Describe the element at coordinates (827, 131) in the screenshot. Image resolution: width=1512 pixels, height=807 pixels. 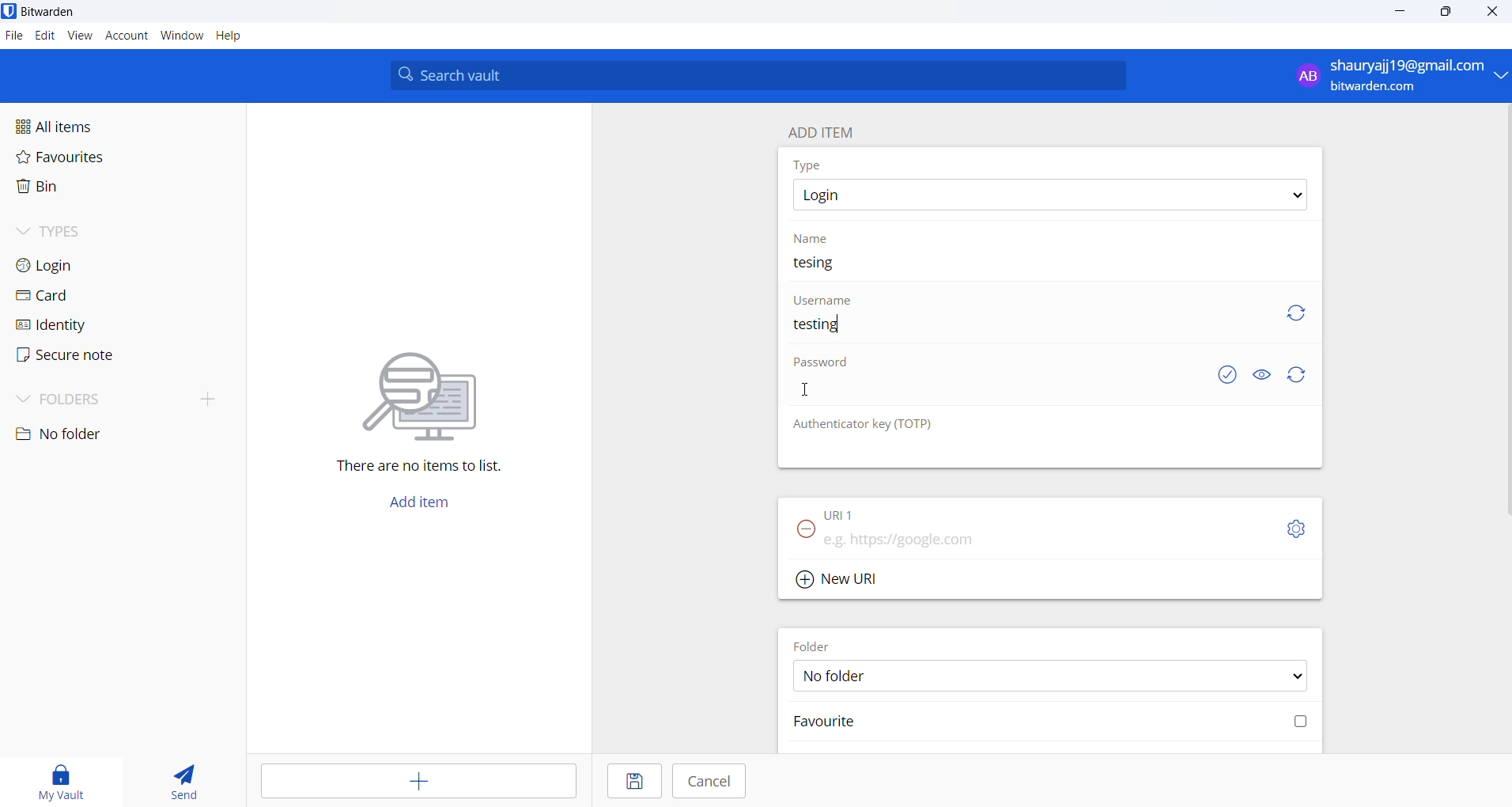
I see `add item heading` at that location.